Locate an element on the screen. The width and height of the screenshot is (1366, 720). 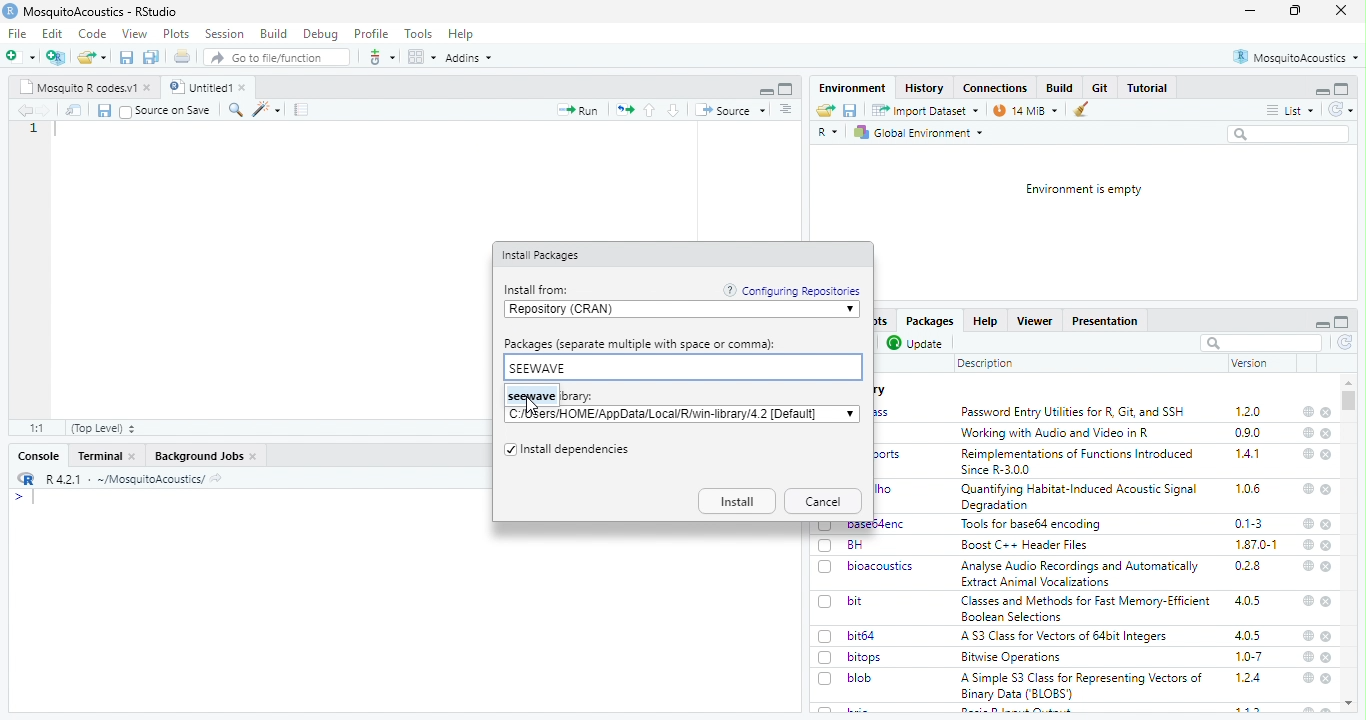
share is located at coordinates (216, 480).